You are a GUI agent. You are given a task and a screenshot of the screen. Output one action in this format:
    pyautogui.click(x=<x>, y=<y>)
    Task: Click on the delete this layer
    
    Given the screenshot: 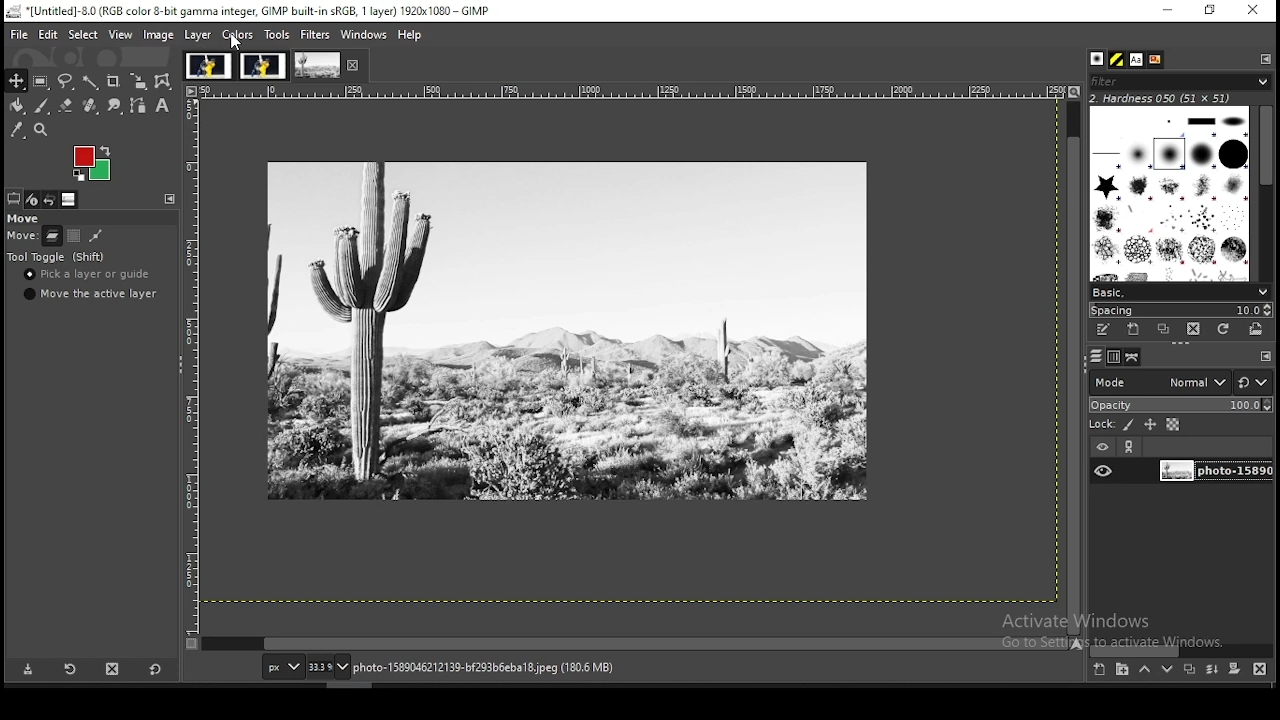 What is the action you would take?
    pyautogui.click(x=1260, y=668)
    